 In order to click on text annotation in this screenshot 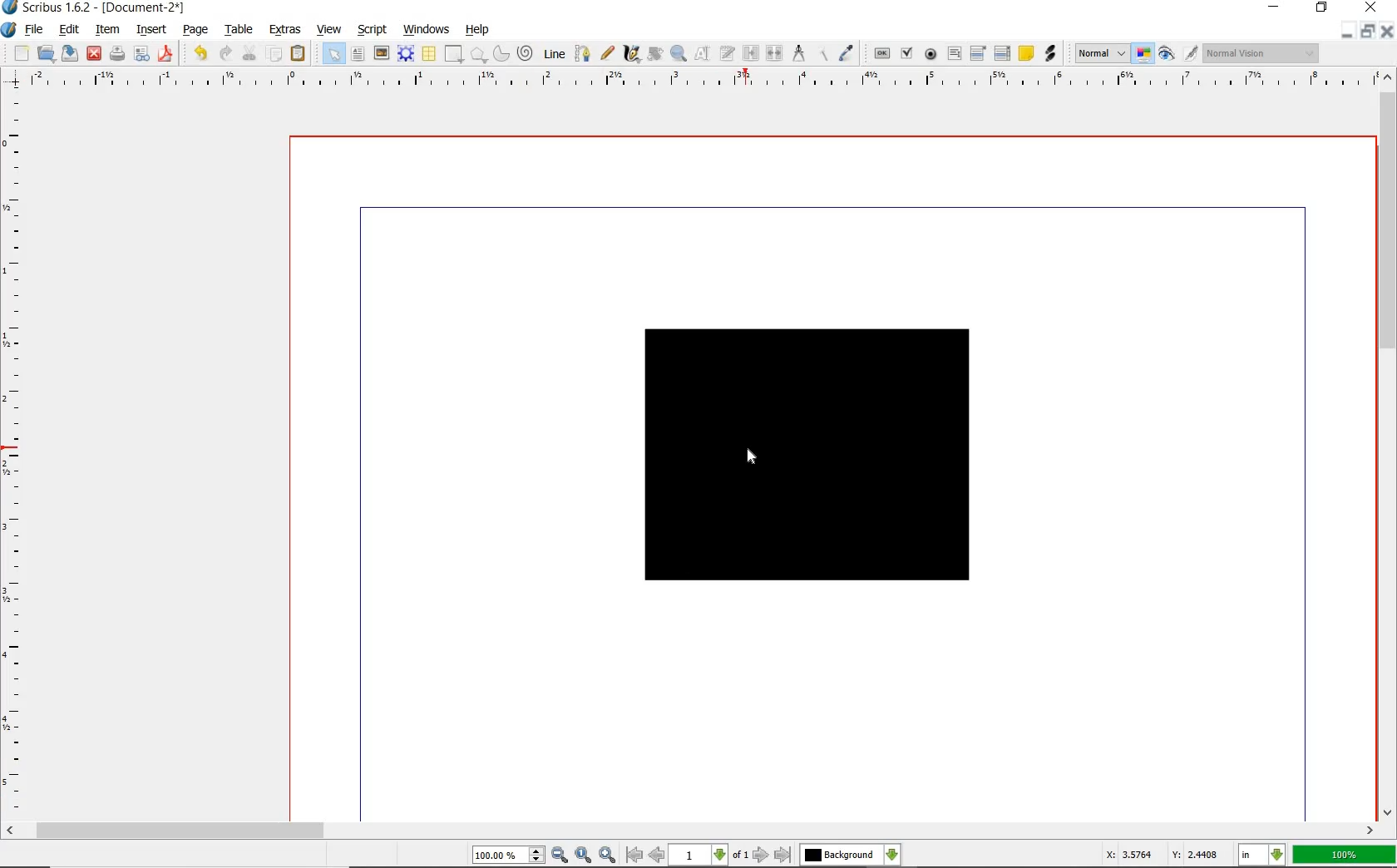, I will do `click(1026, 53)`.